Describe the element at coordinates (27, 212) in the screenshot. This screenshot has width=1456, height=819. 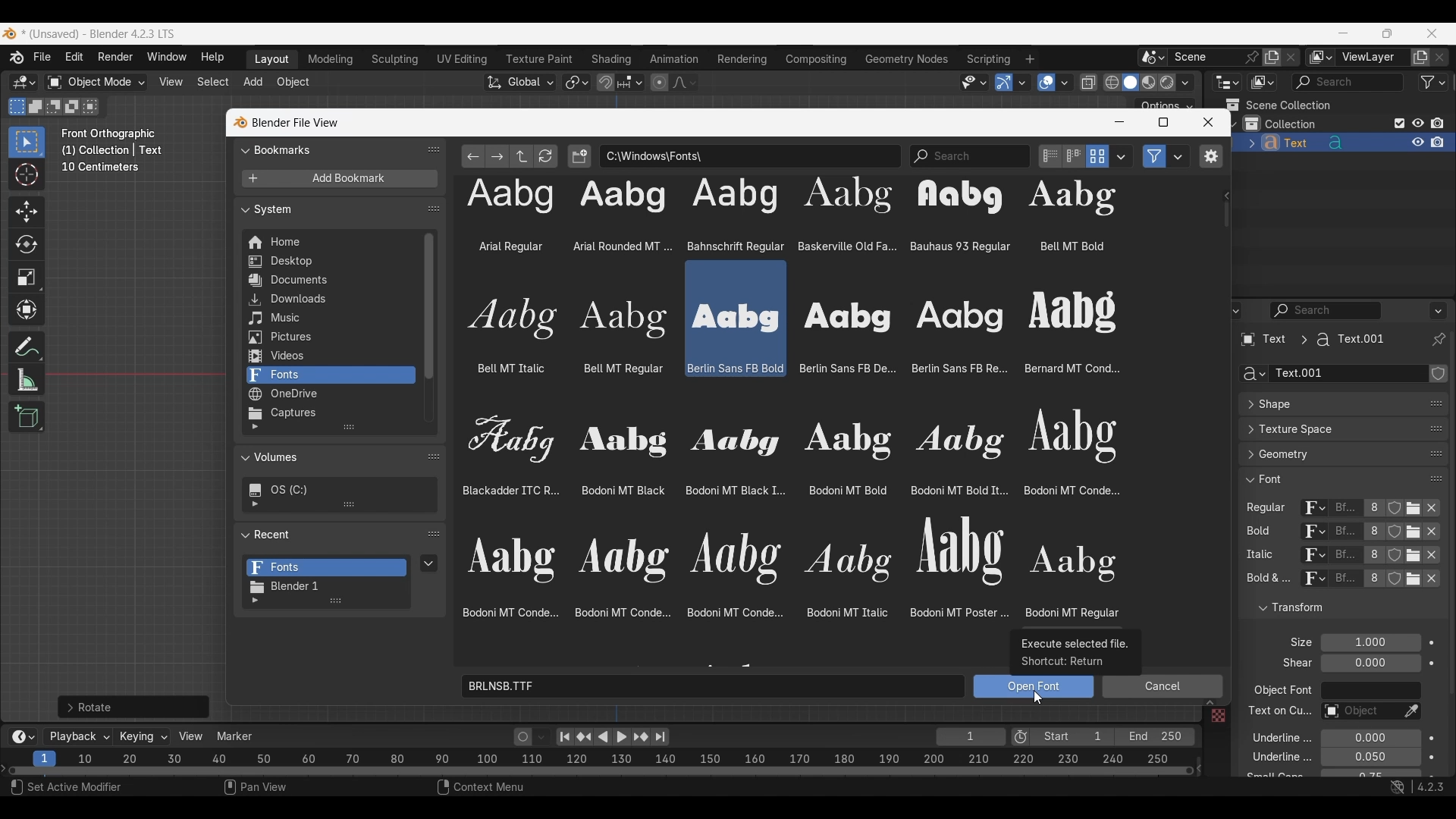
I see `Move` at that location.